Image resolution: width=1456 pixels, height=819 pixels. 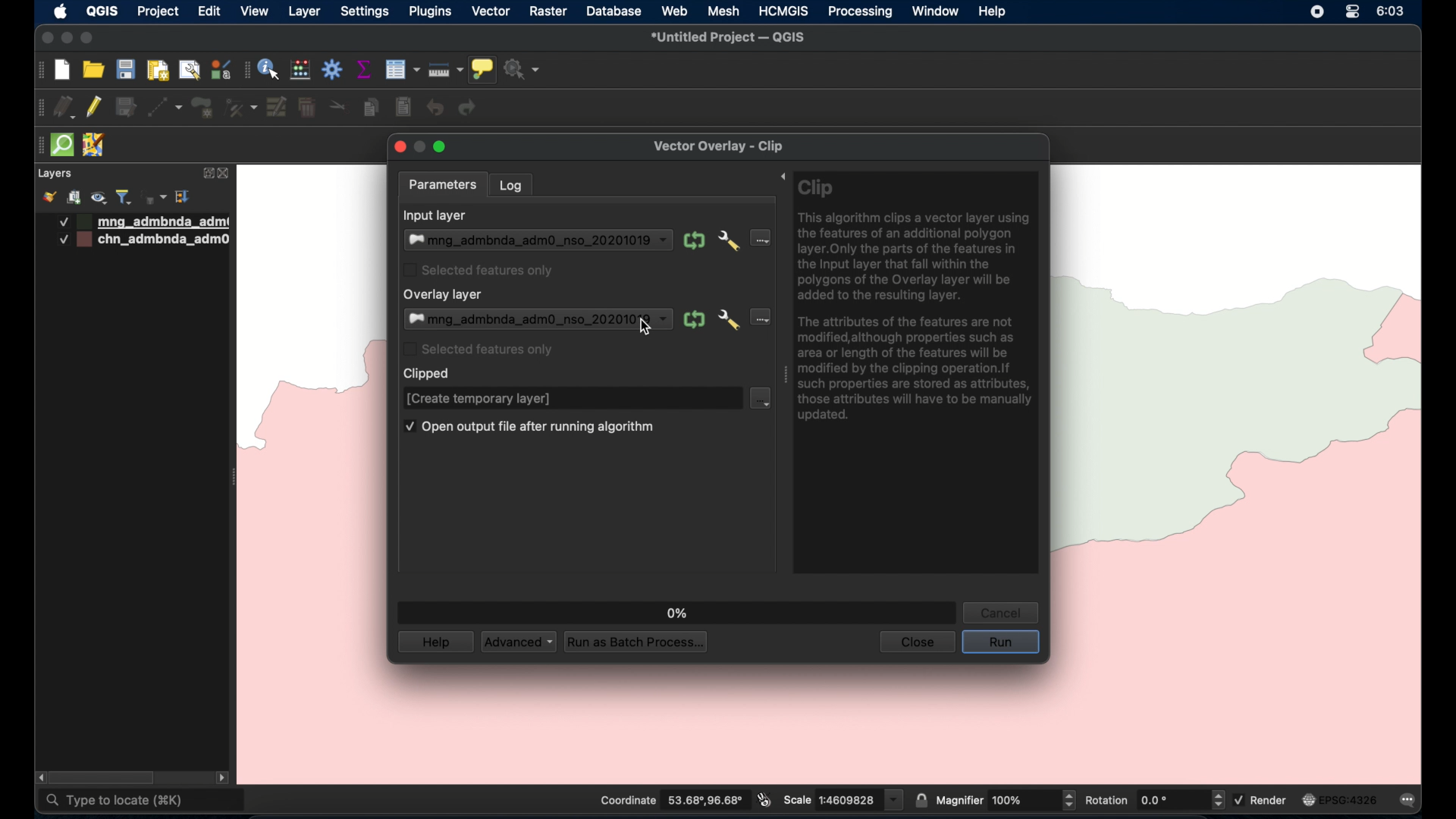 What do you see at coordinates (45, 38) in the screenshot?
I see `close` at bounding box center [45, 38].